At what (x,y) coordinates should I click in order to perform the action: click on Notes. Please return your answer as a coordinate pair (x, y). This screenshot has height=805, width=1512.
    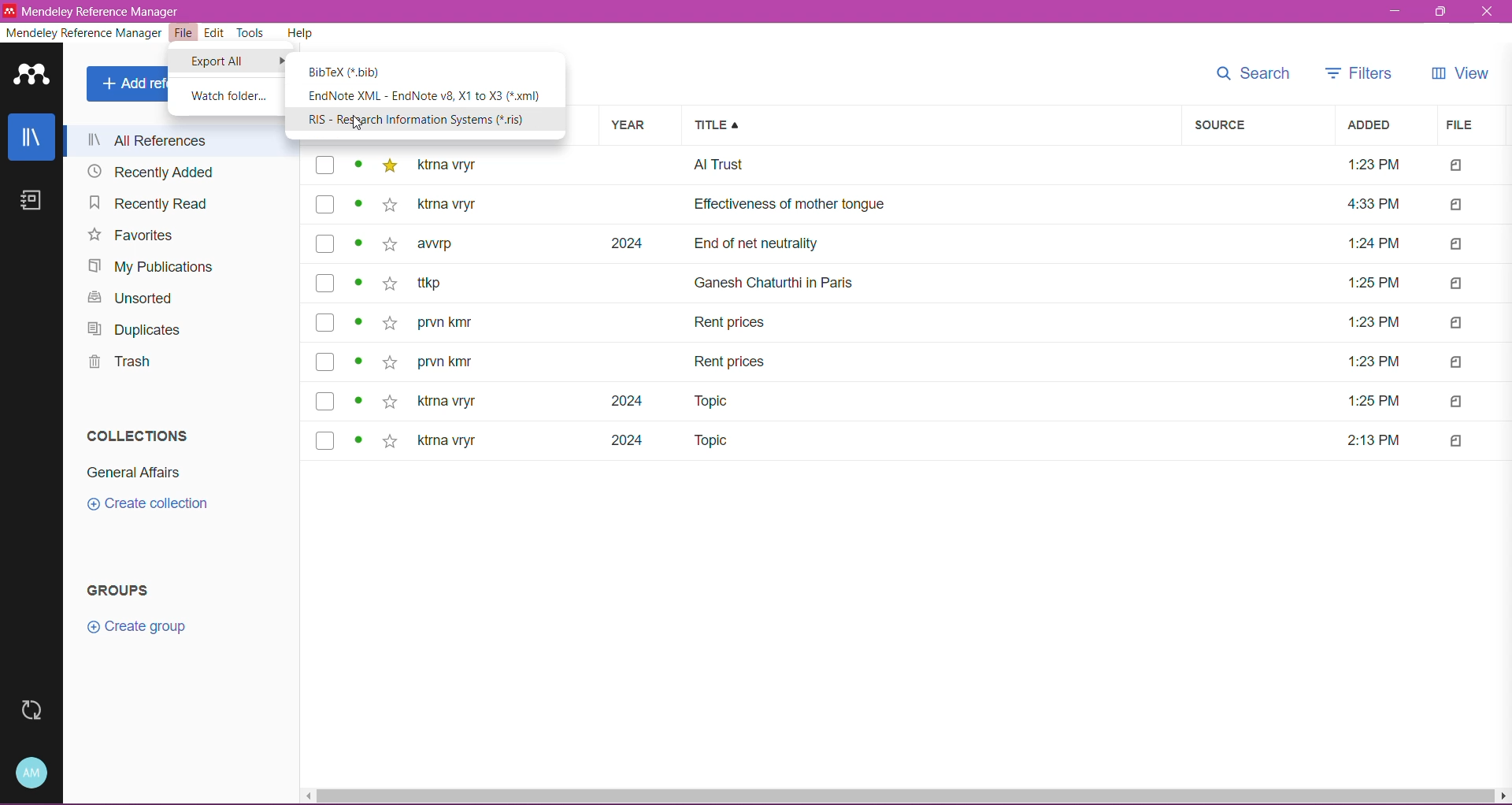
    Looking at the image, I should click on (35, 203).